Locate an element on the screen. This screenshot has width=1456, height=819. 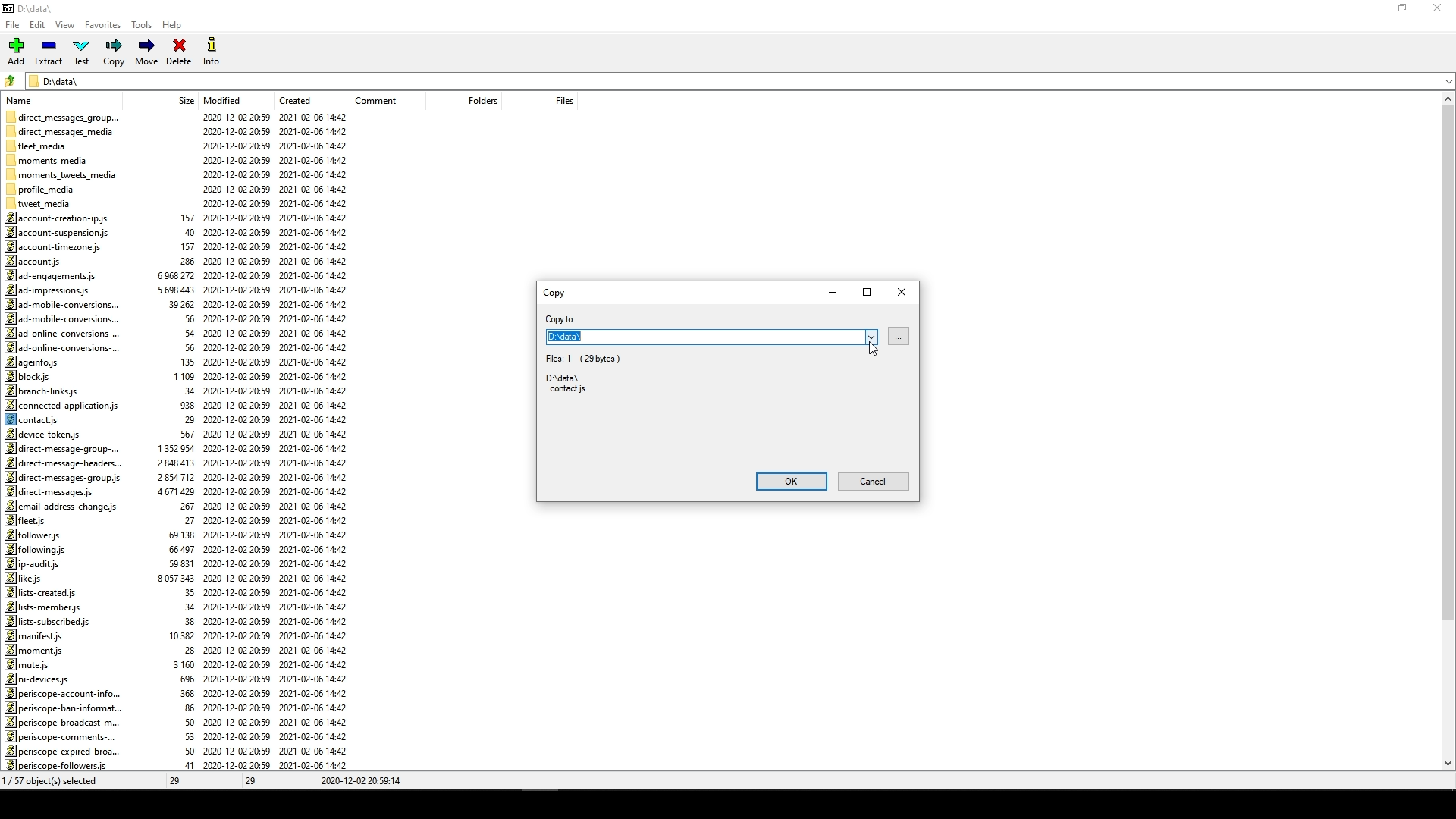
copy to is located at coordinates (560, 317).